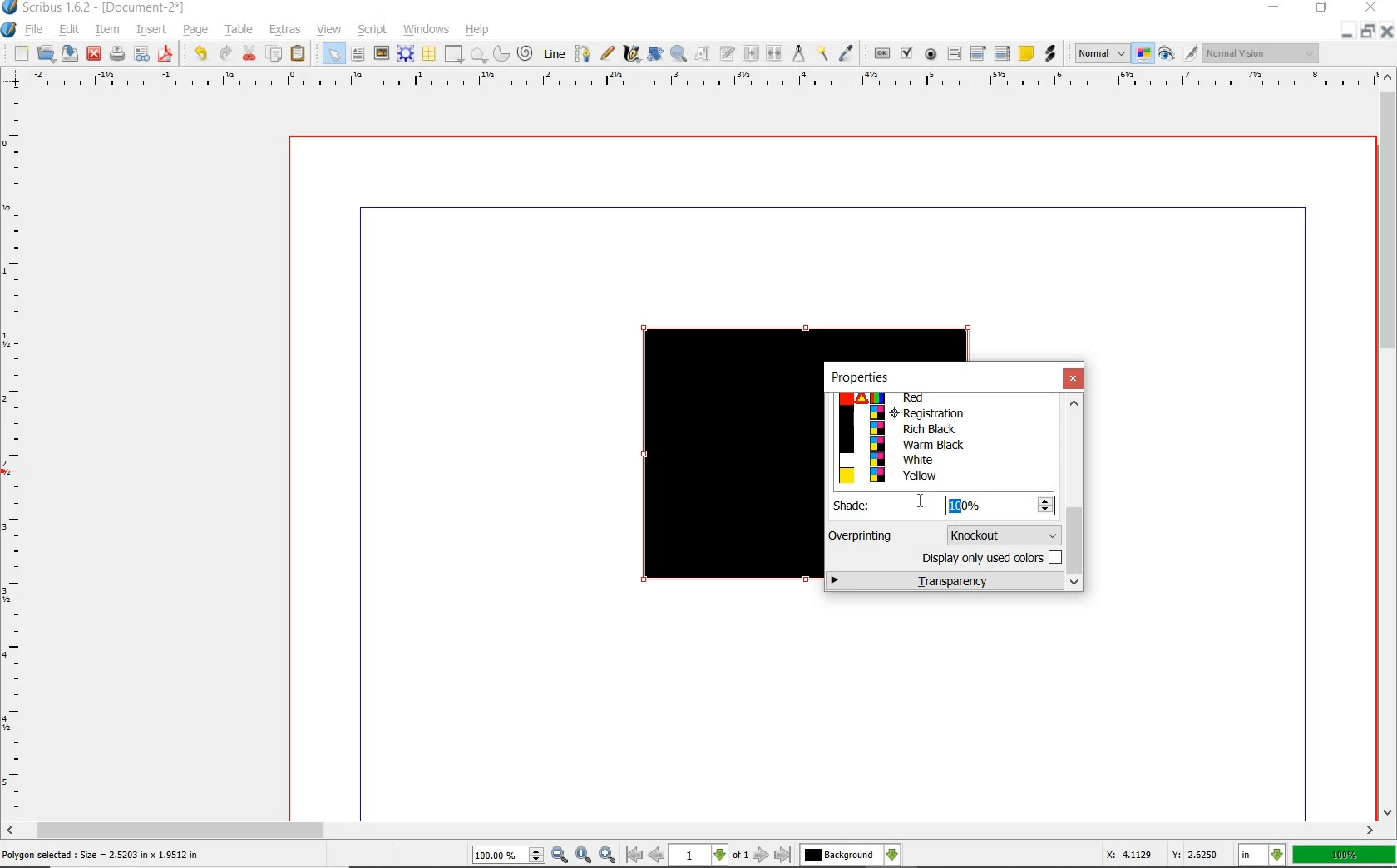 The image size is (1397, 868). What do you see at coordinates (708, 856) in the screenshot?
I see `select current page` at bounding box center [708, 856].